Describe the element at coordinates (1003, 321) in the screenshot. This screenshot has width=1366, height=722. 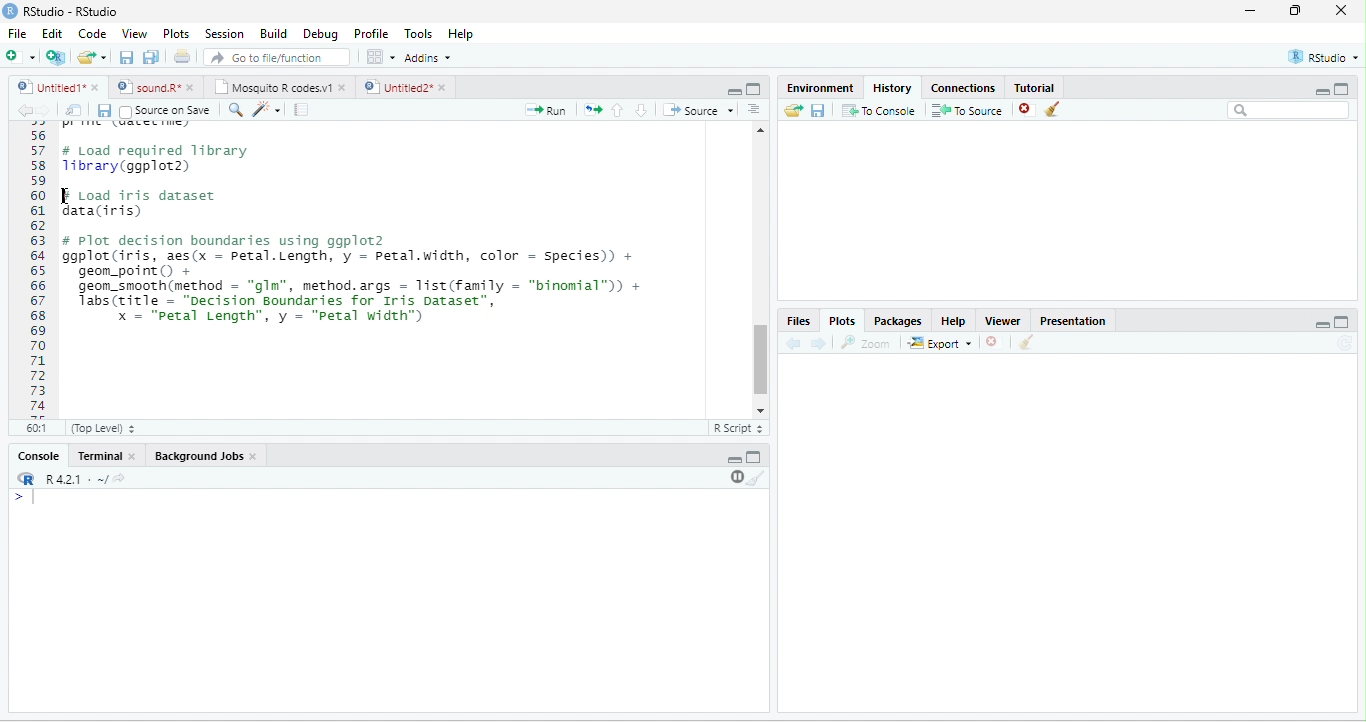
I see `Viewer` at that location.